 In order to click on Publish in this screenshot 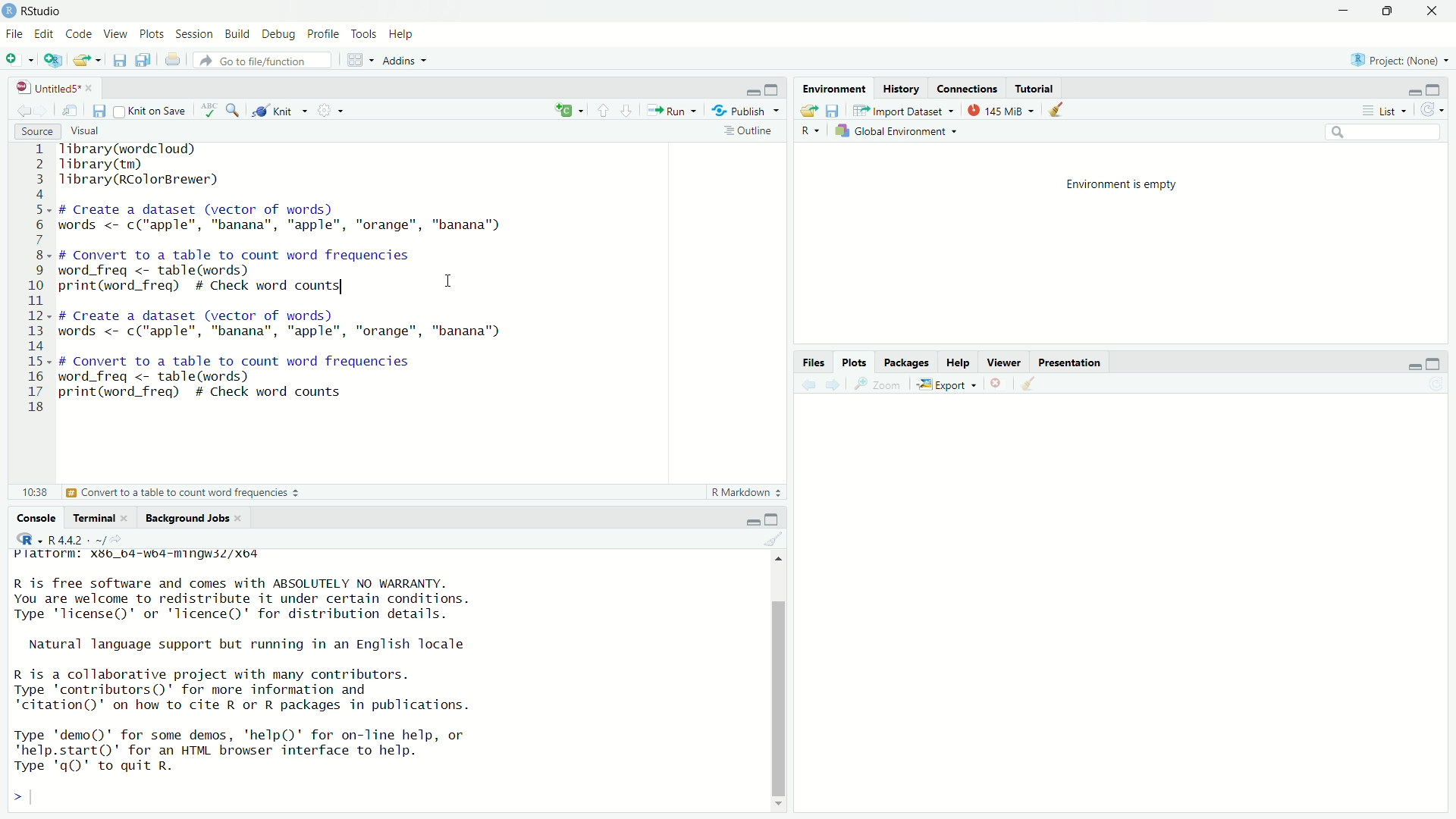, I will do `click(746, 112)`.